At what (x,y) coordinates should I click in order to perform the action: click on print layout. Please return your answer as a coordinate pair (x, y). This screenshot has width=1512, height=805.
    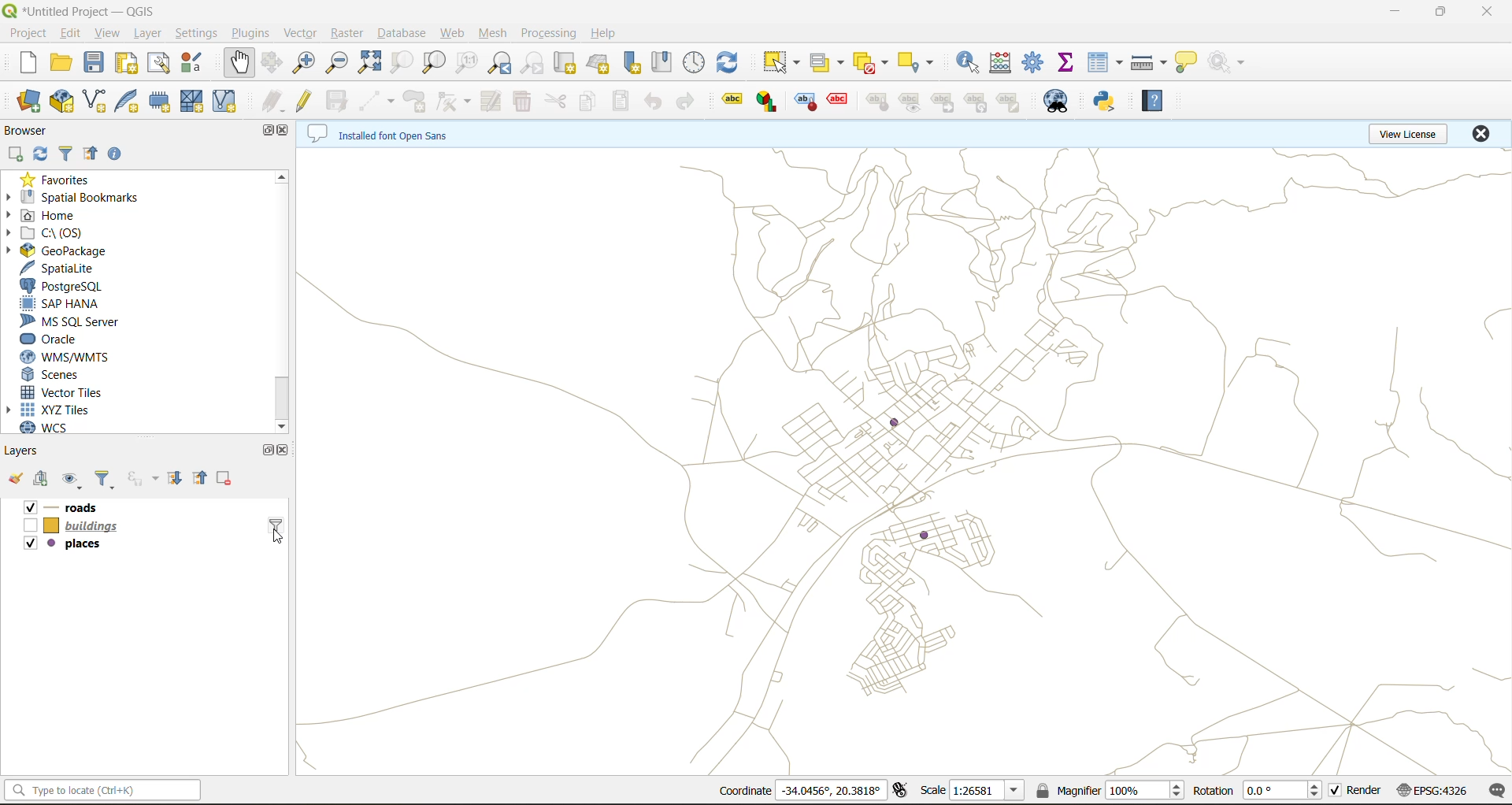
    Looking at the image, I should click on (128, 65).